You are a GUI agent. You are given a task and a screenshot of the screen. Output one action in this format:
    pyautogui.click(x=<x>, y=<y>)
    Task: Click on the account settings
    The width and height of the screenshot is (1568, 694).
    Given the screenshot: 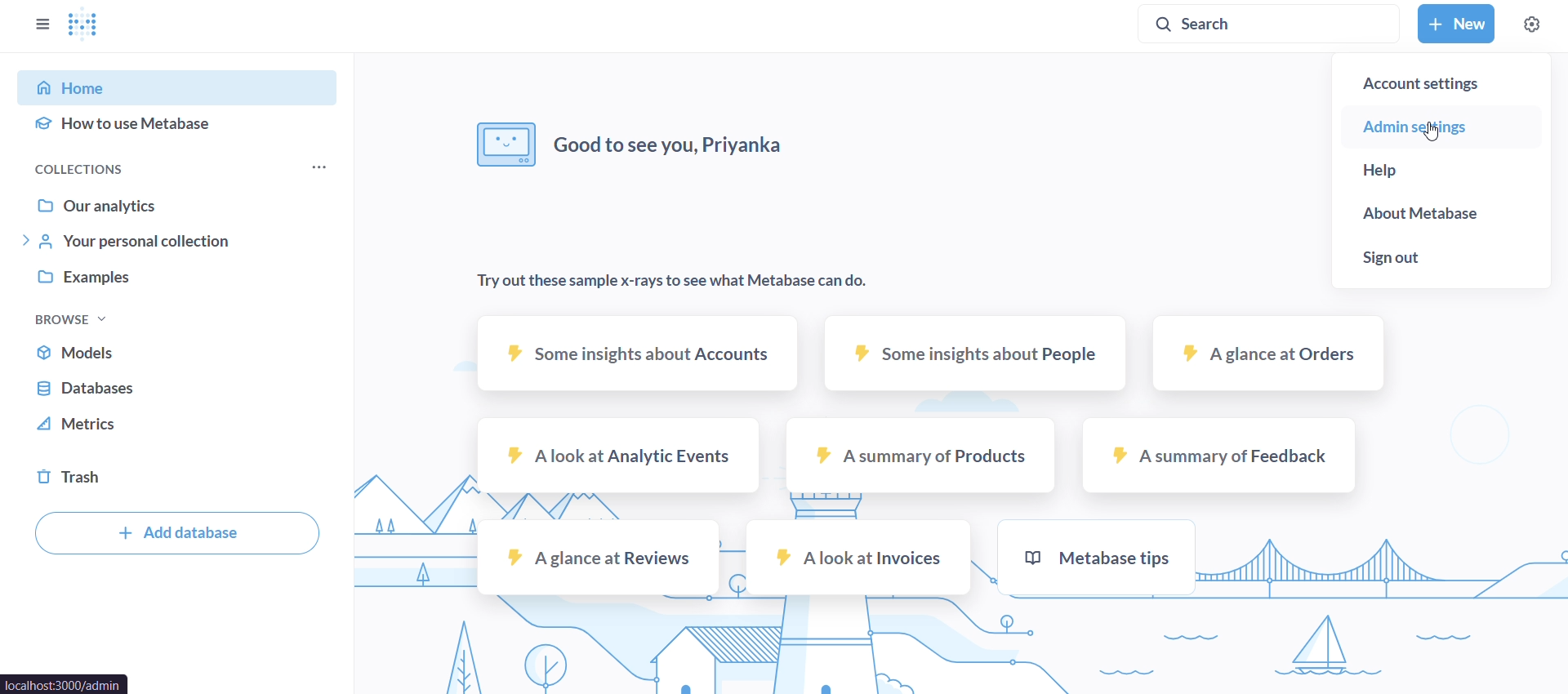 What is the action you would take?
    pyautogui.click(x=1437, y=84)
    